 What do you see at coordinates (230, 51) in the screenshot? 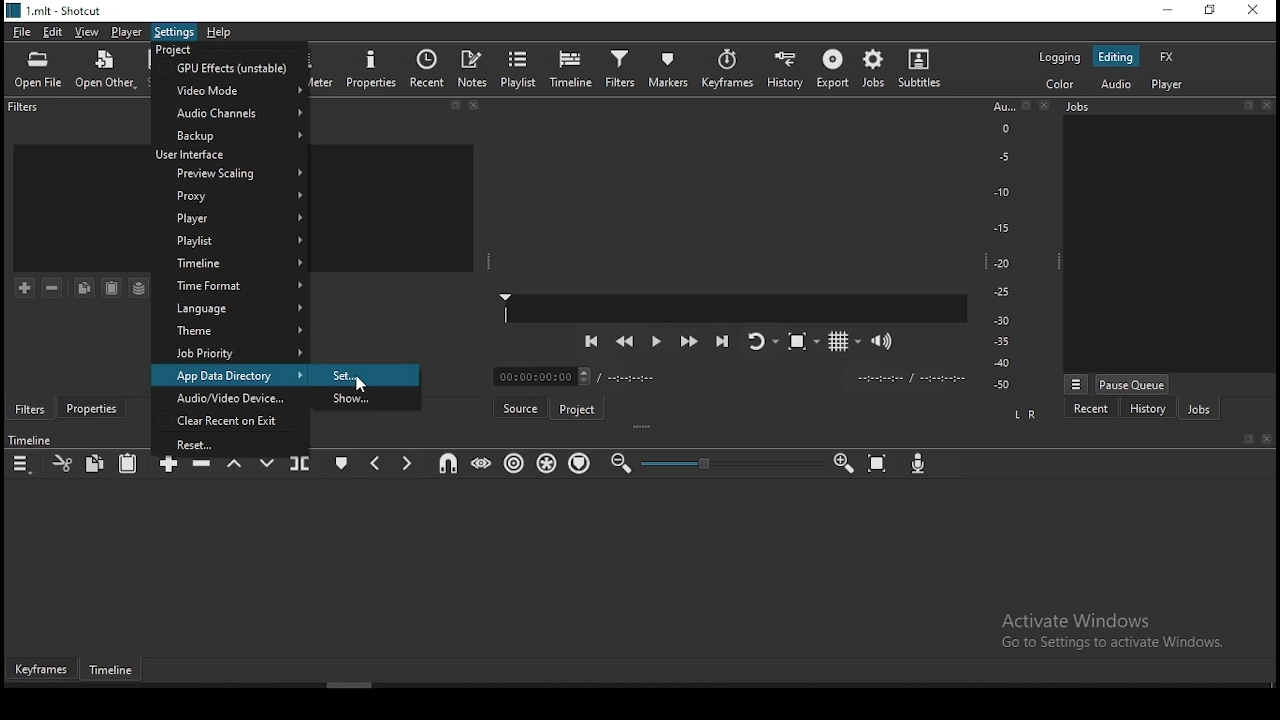
I see `project` at bounding box center [230, 51].